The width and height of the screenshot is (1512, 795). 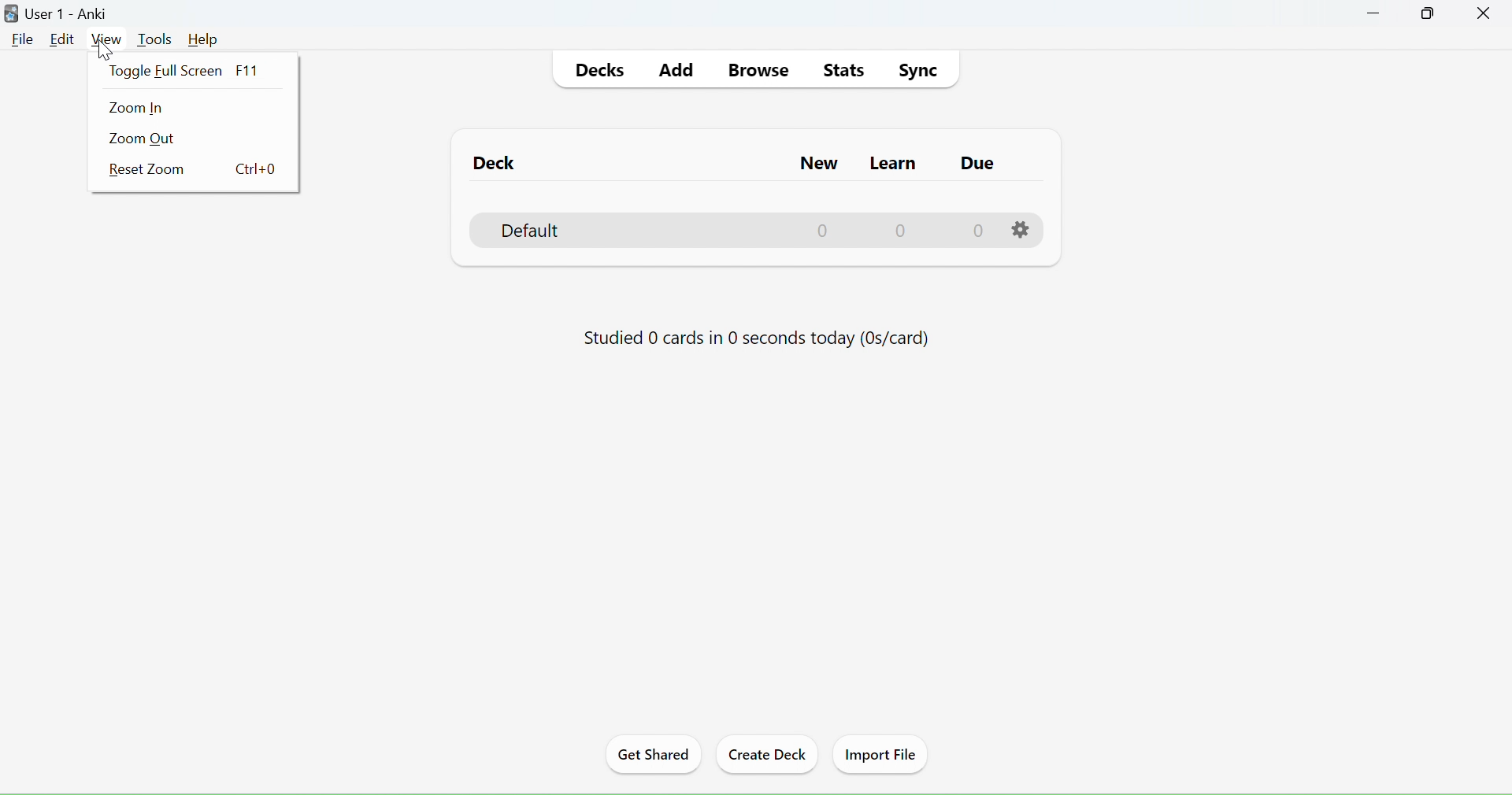 I want to click on file, so click(x=23, y=39).